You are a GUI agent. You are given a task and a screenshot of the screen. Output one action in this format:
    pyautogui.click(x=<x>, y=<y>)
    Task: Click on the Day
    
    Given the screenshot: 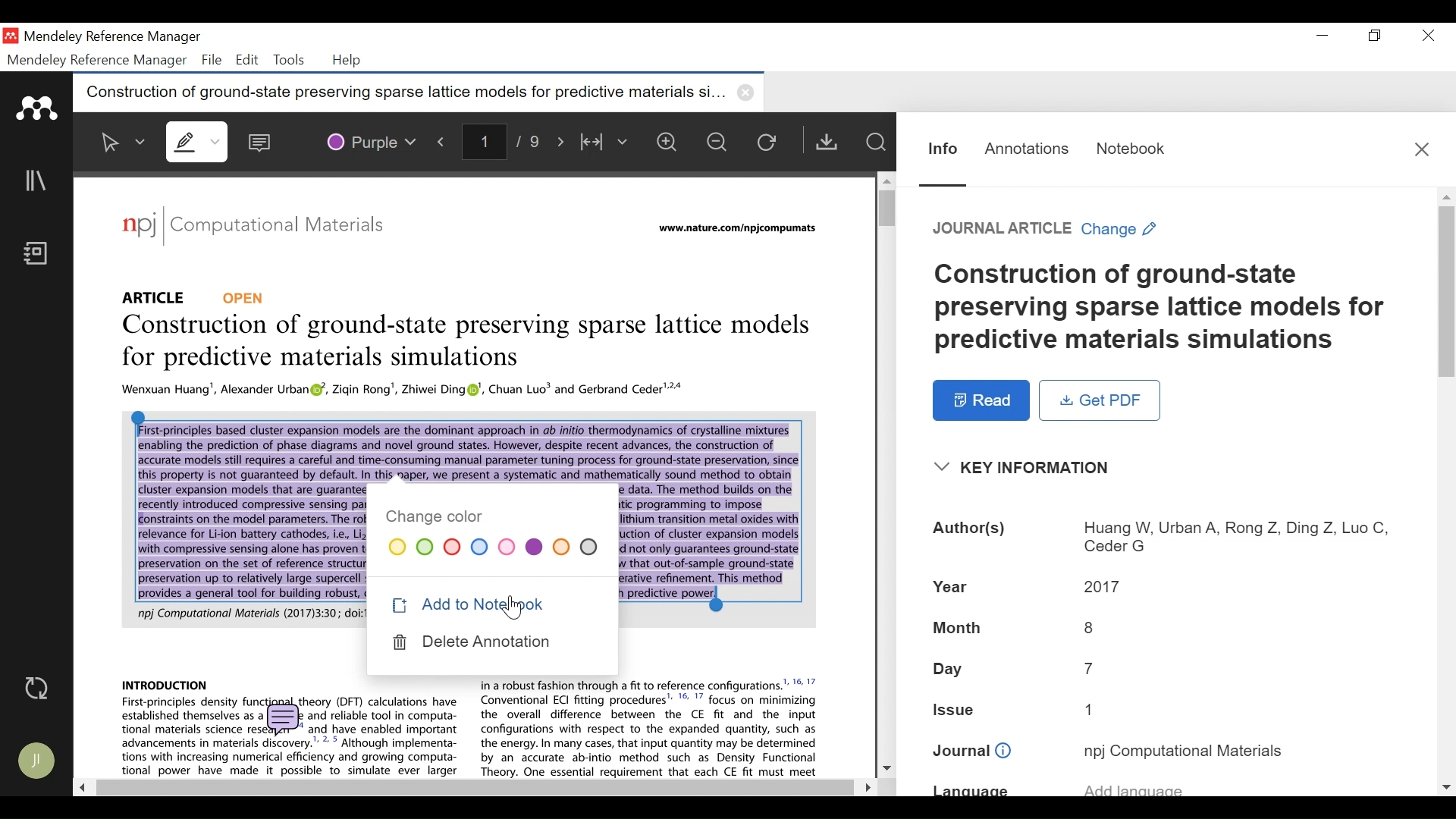 What is the action you would take?
    pyautogui.click(x=950, y=670)
    